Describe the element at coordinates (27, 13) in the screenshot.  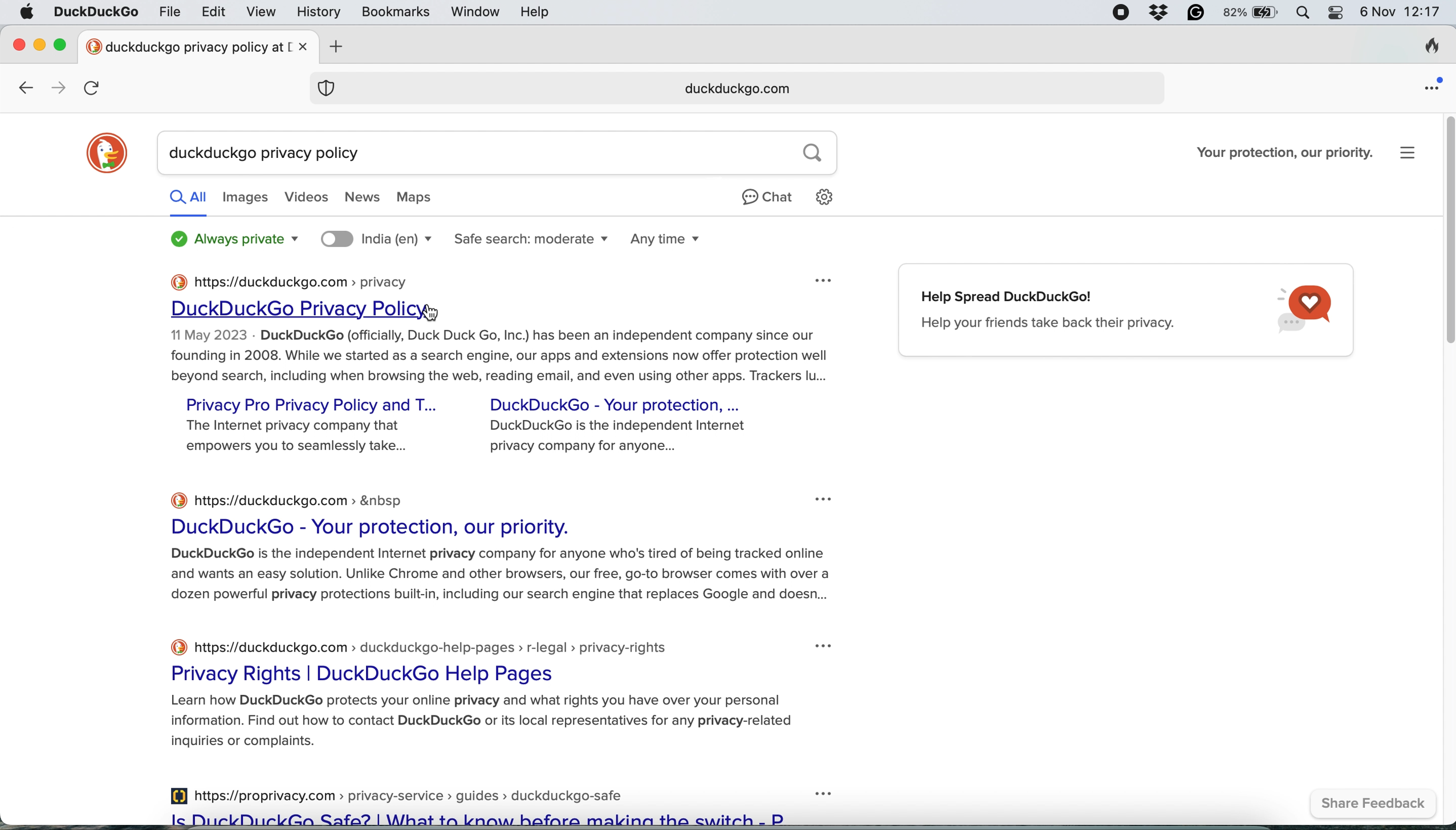
I see `system logo` at that location.